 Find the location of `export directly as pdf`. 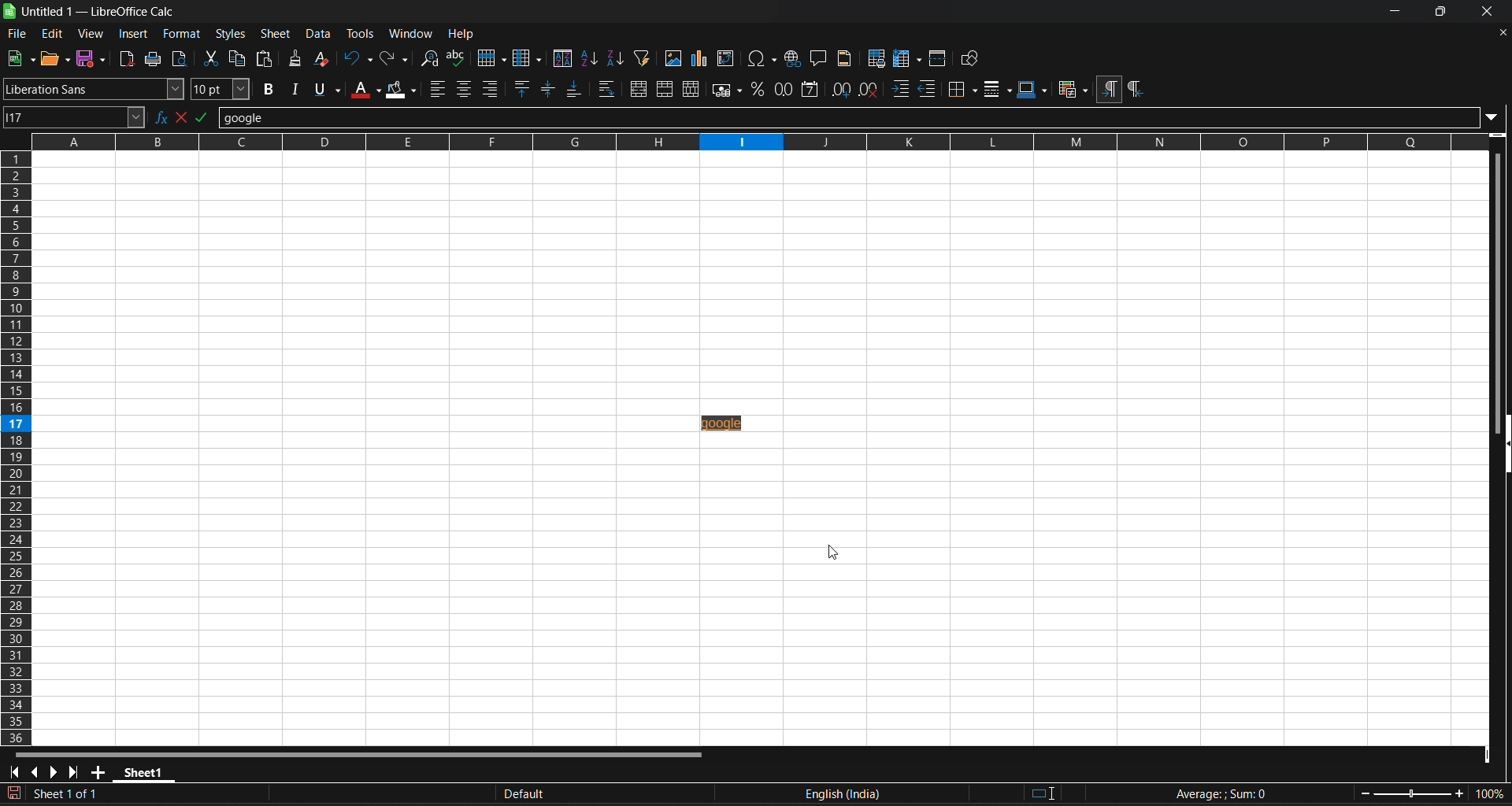

export directly as pdf is located at coordinates (128, 58).